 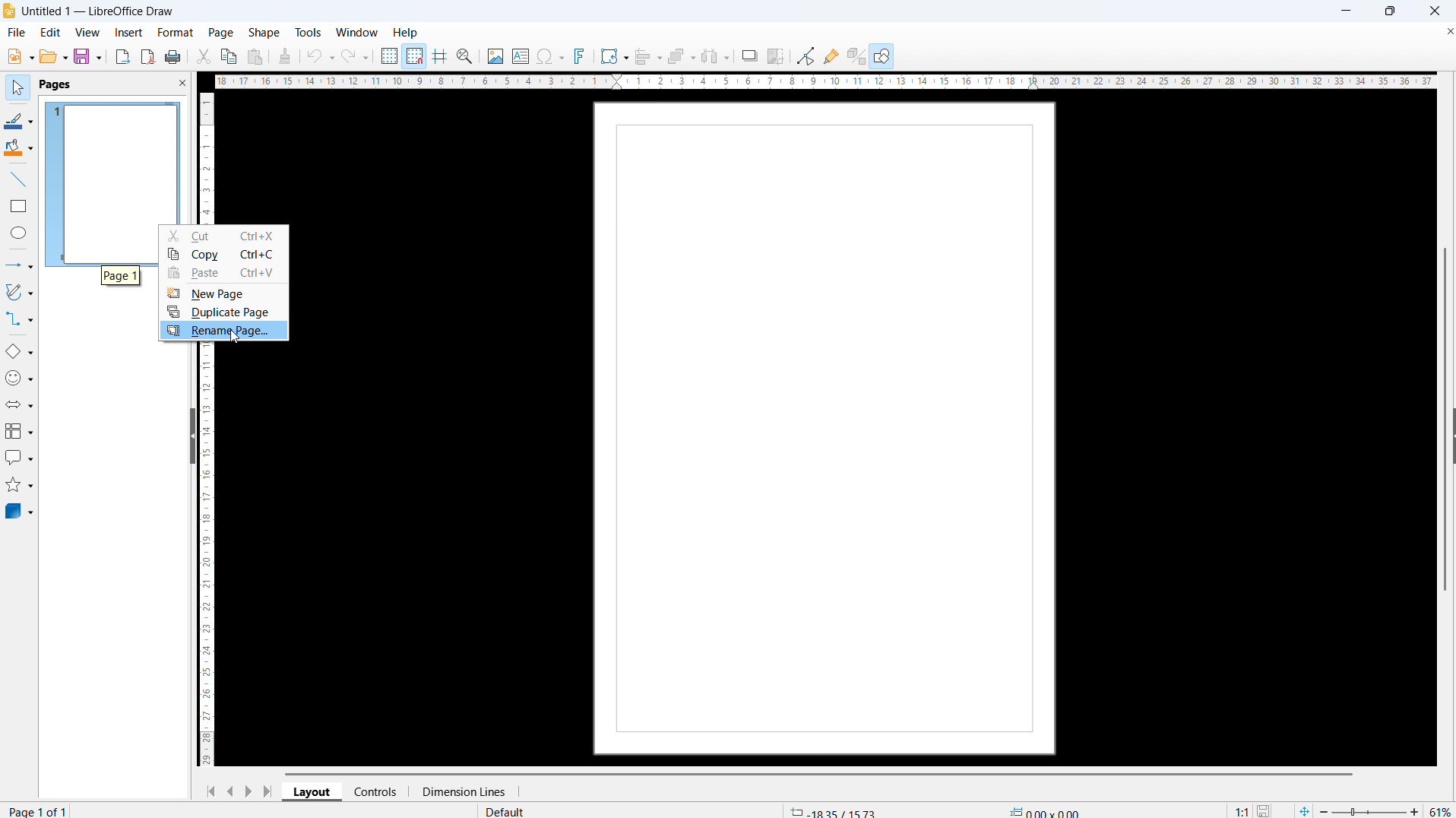 What do you see at coordinates (1304, 810) in the screenshot?
I see `fit page to current window` at bounding box center [1304, 810].